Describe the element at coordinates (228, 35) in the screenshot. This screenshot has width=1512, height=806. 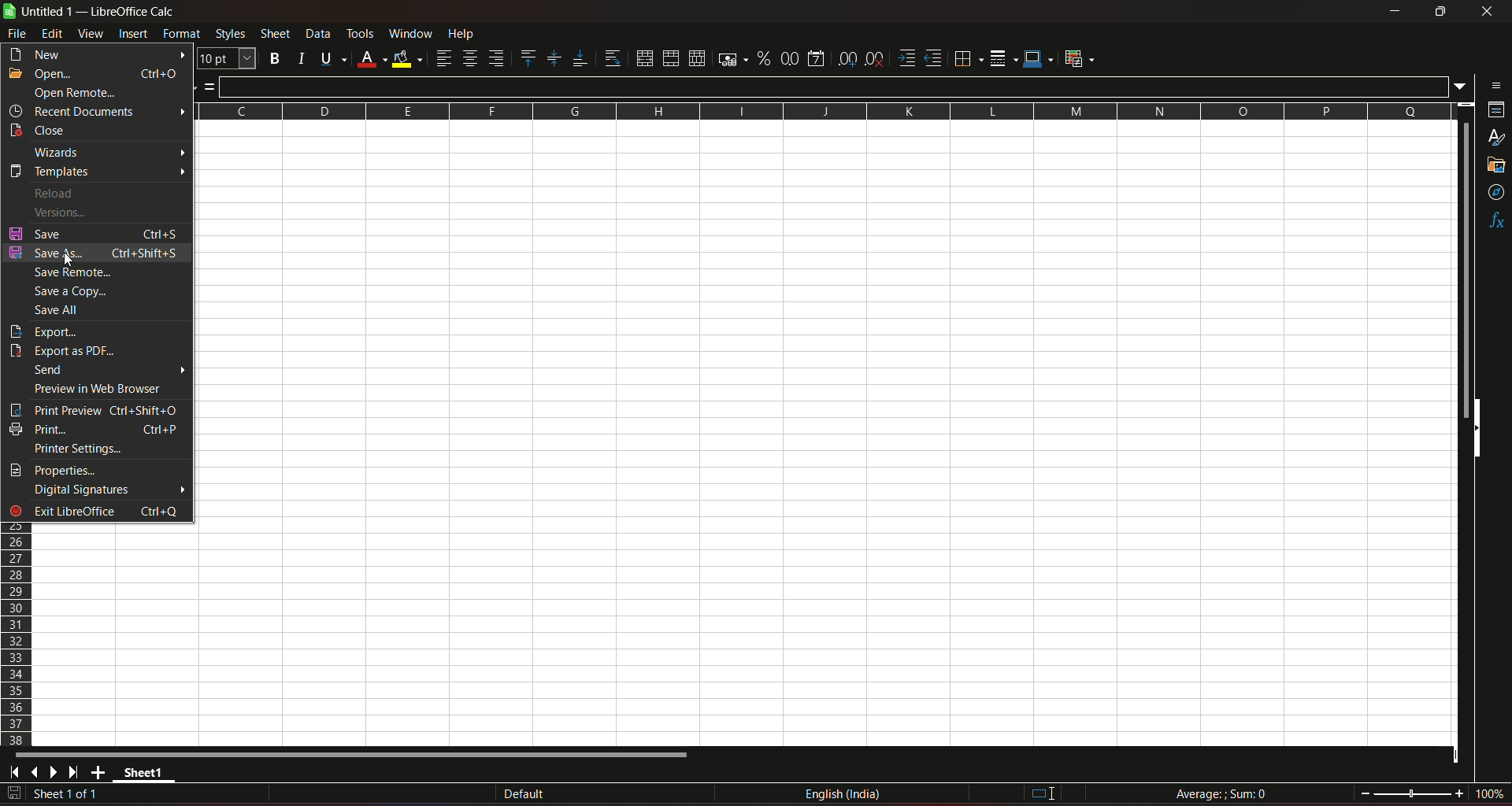
I see `Styles` at that location.